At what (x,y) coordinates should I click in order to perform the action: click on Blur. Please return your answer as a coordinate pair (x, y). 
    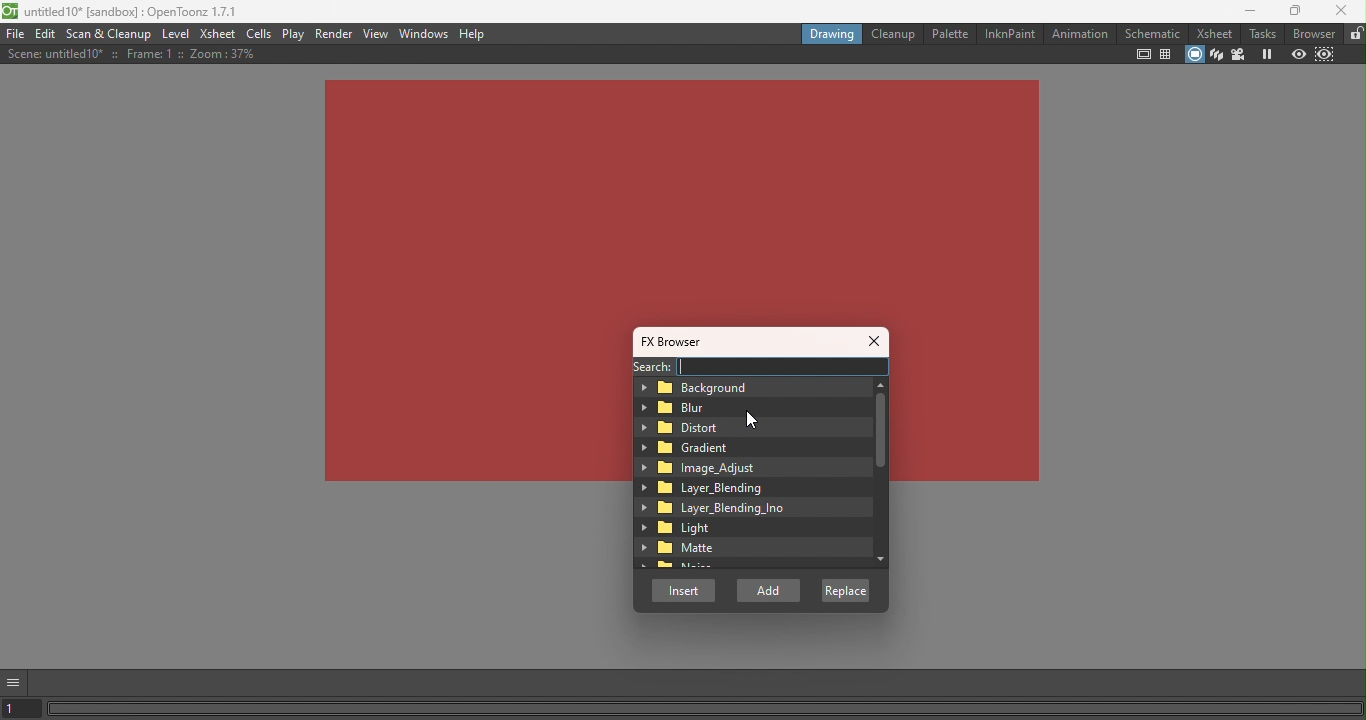
    Looking at the image, I should click on (686, 408).